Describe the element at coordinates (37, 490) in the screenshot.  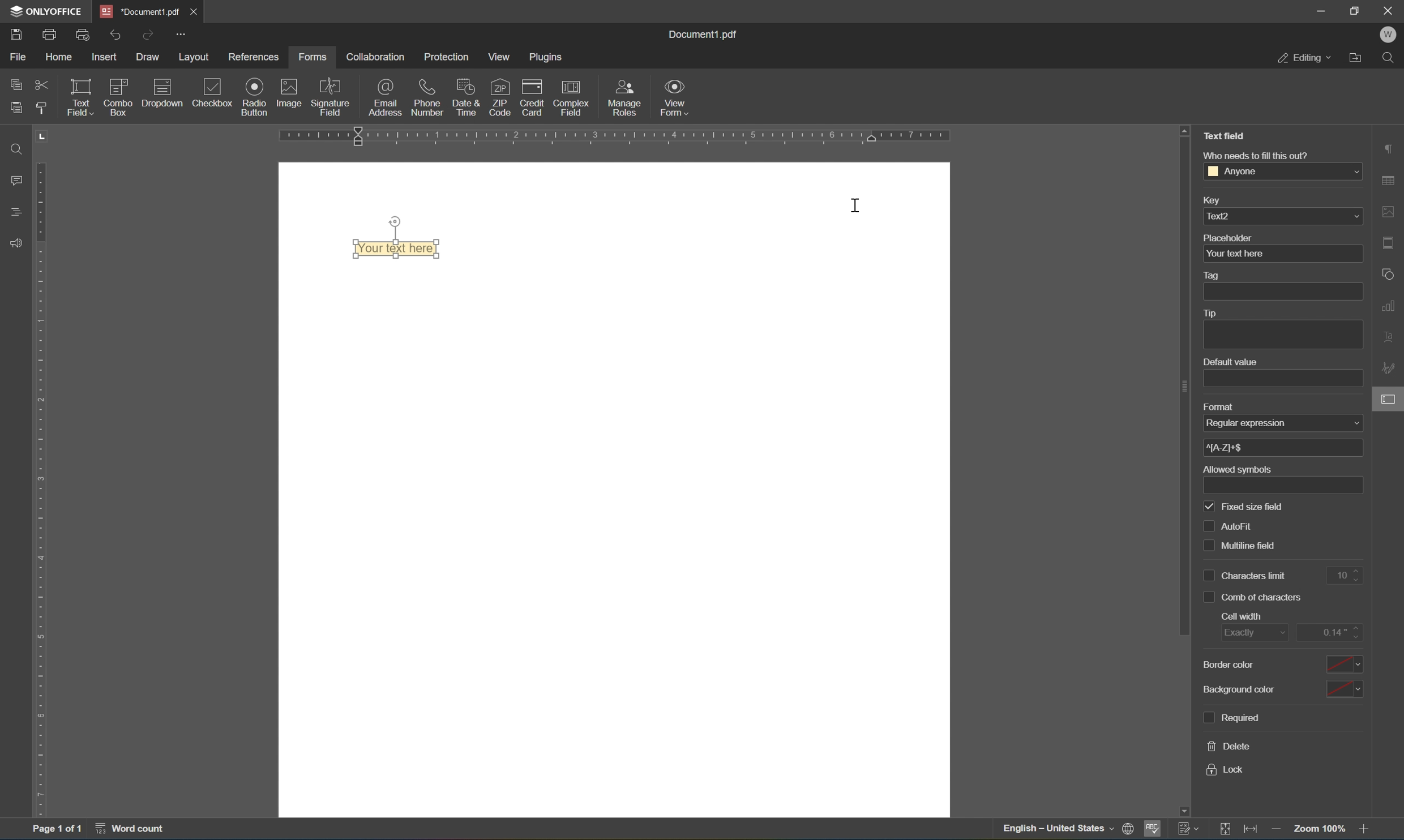
I see `ruler` at that location.